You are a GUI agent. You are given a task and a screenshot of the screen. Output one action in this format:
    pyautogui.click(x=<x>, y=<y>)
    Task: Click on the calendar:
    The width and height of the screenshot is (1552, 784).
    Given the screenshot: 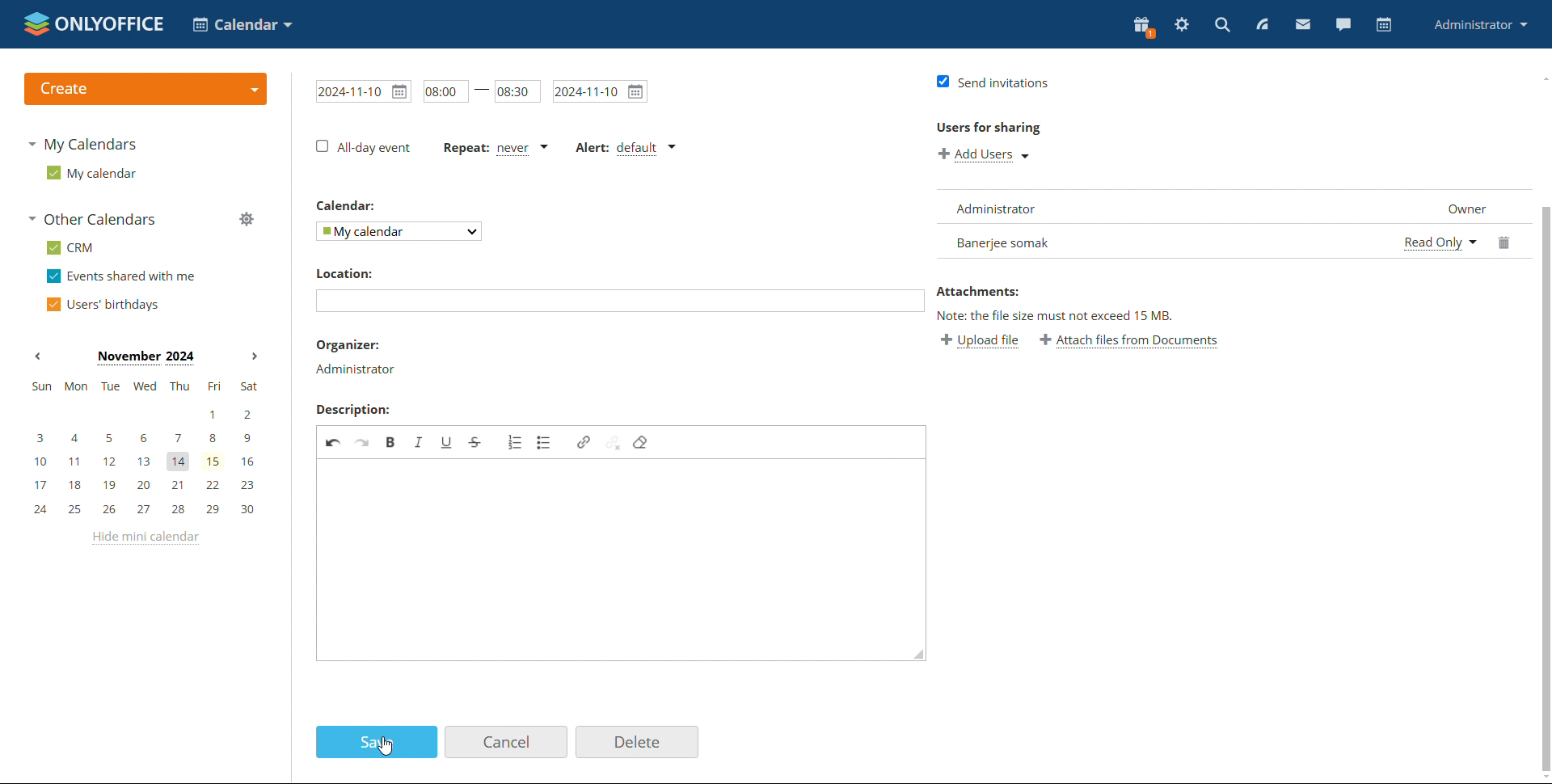 What is the action you would take?
    pyautogui.click(x=351, y=207)
    